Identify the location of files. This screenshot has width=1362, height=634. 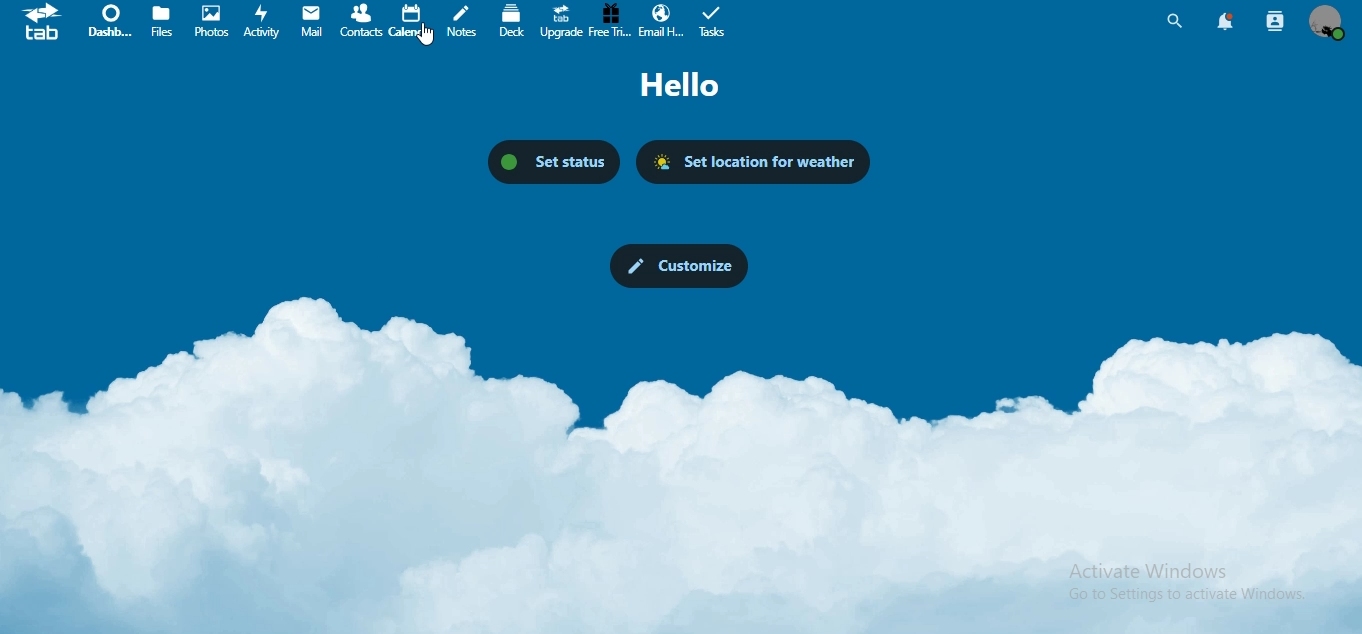
(164, 22).